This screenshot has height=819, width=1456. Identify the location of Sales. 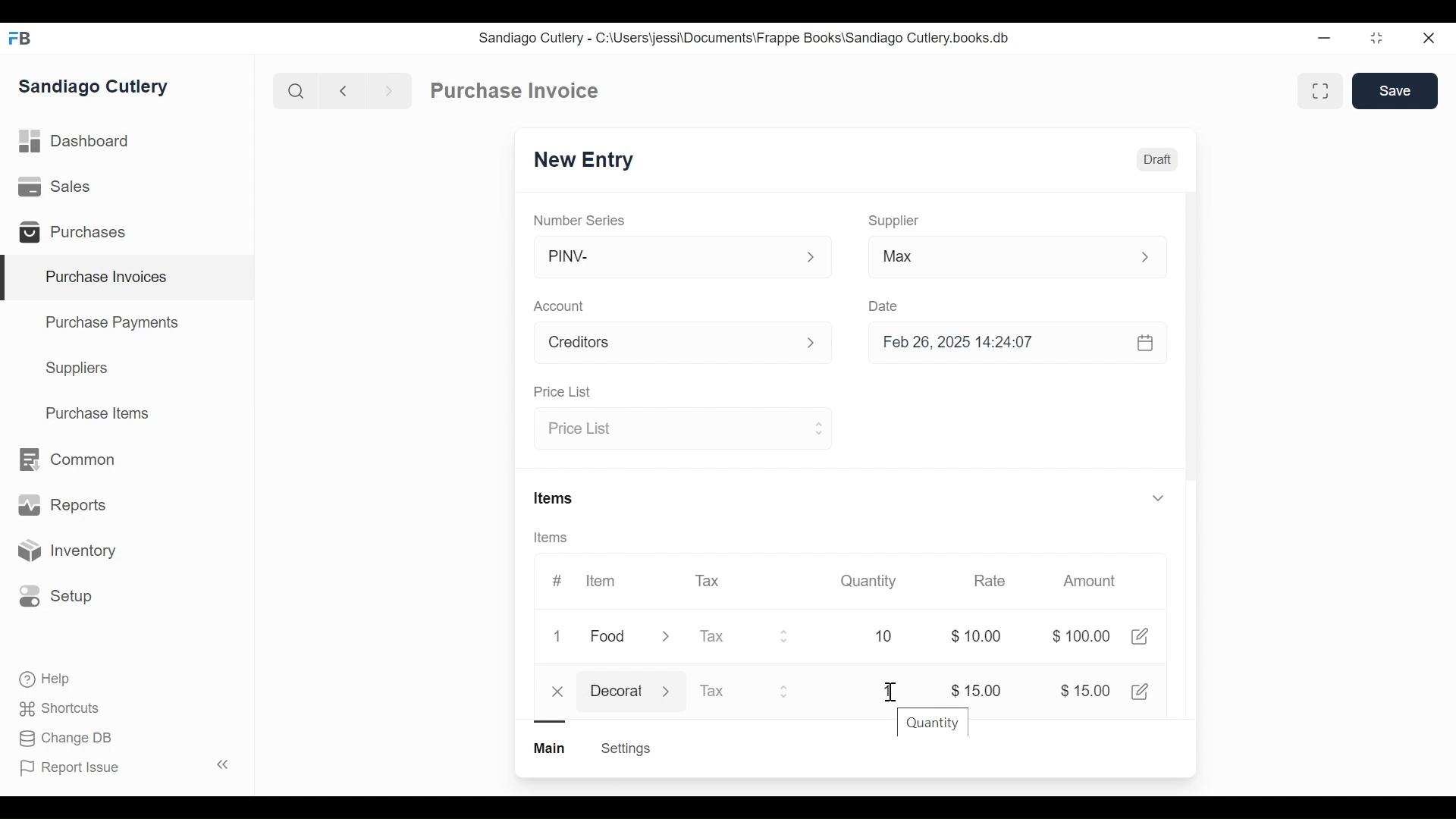
(58, 187).